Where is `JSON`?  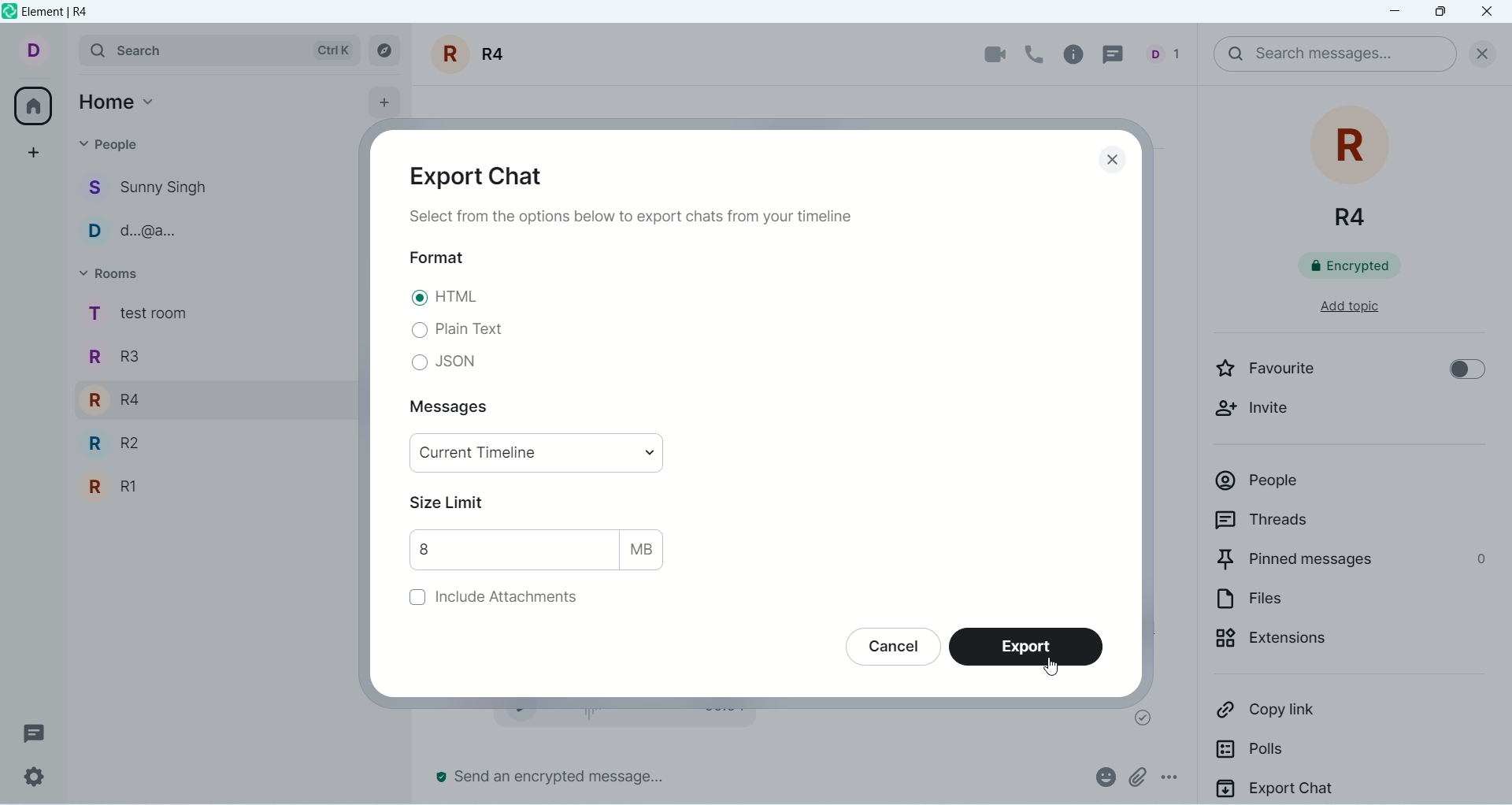 JSON is located at coordinates (447, 365).